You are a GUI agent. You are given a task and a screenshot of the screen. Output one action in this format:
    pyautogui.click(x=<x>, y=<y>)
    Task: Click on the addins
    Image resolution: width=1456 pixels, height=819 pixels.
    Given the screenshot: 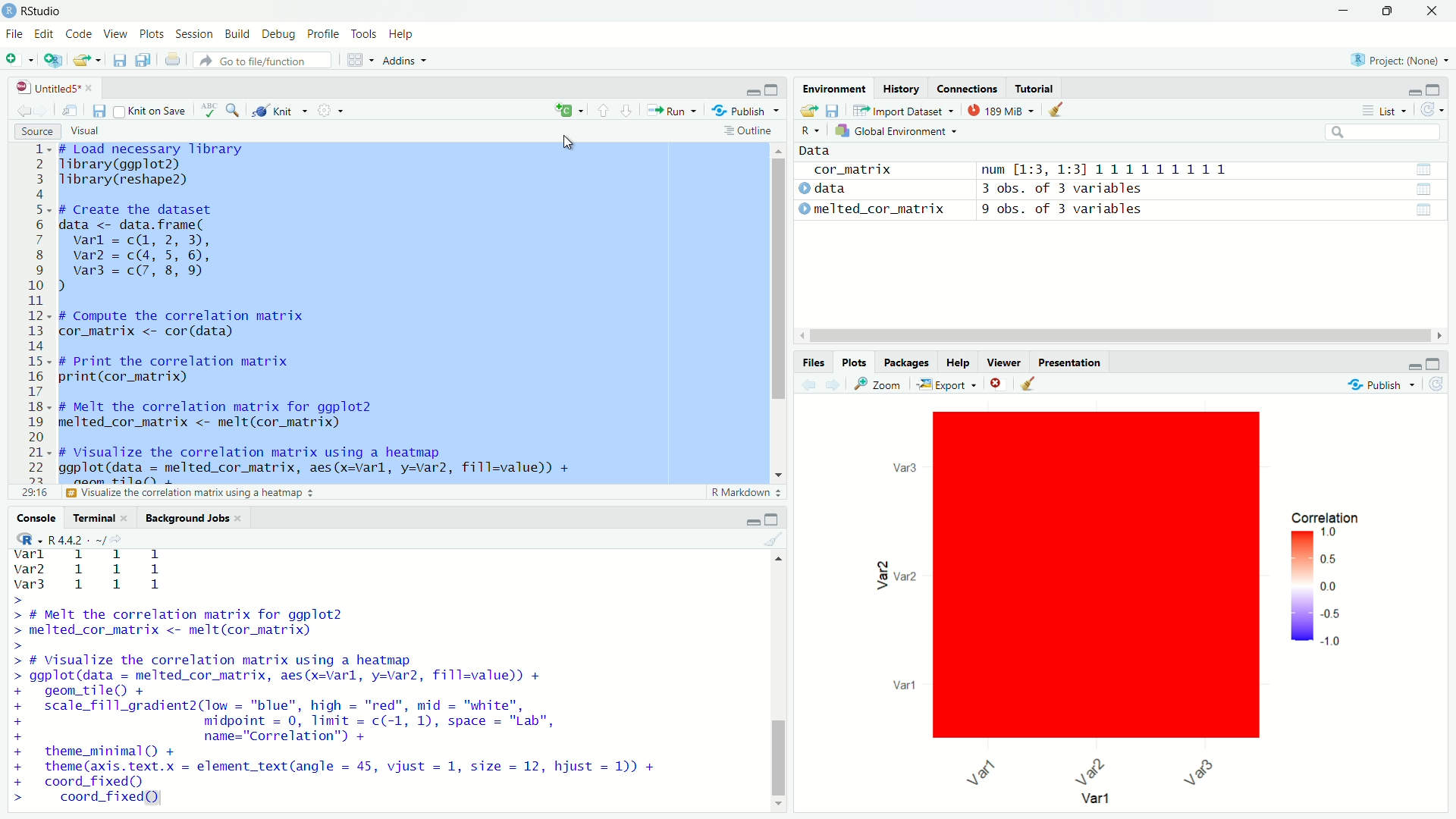 What is the action you would take?
    pyautogui.click(x=405, y=60)
    